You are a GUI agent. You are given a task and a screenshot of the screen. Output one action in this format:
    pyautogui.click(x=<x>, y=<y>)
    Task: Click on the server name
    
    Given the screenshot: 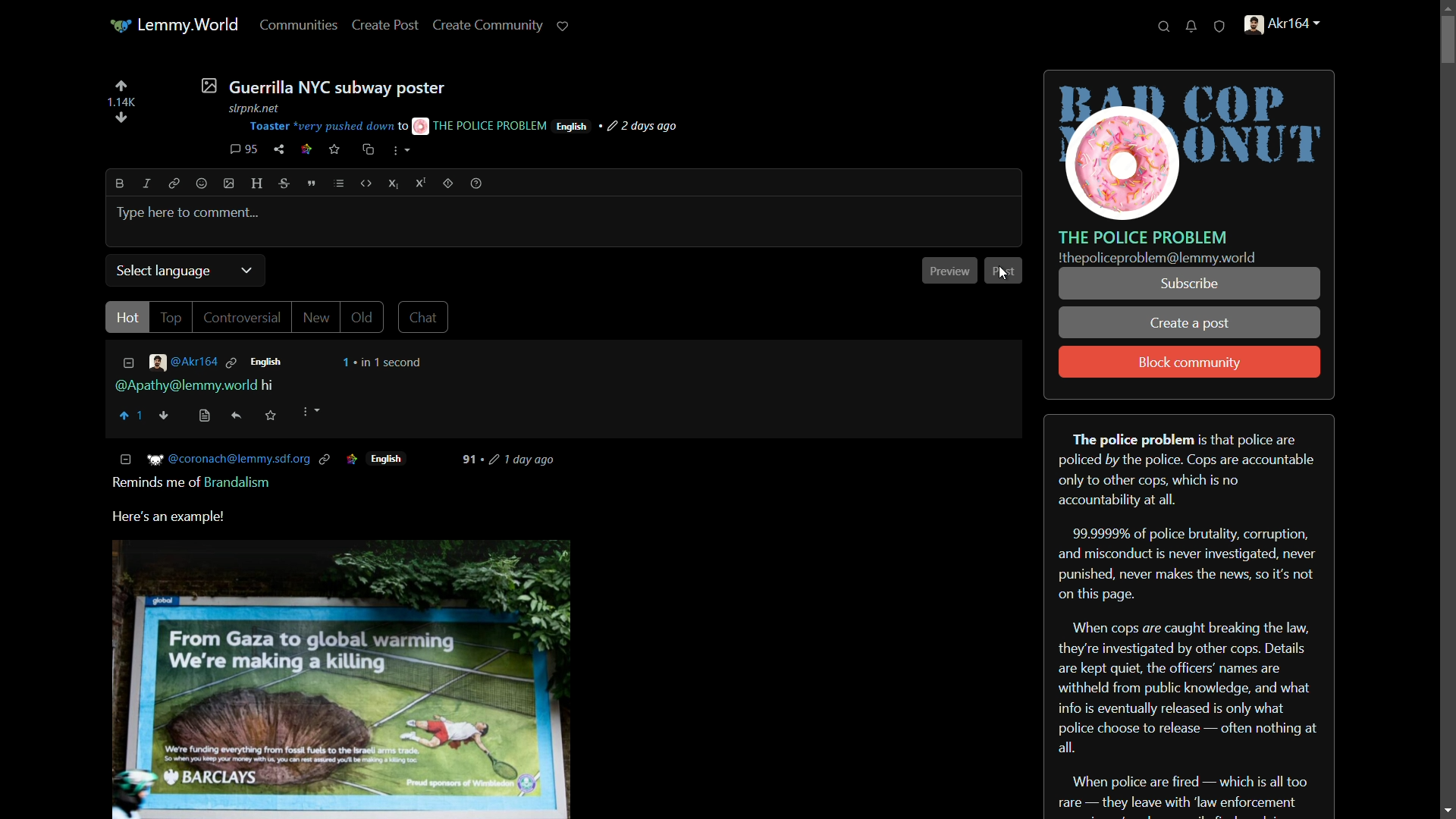 What is the action you would take?
    pyautogui.click(x=1144, y=237)
    